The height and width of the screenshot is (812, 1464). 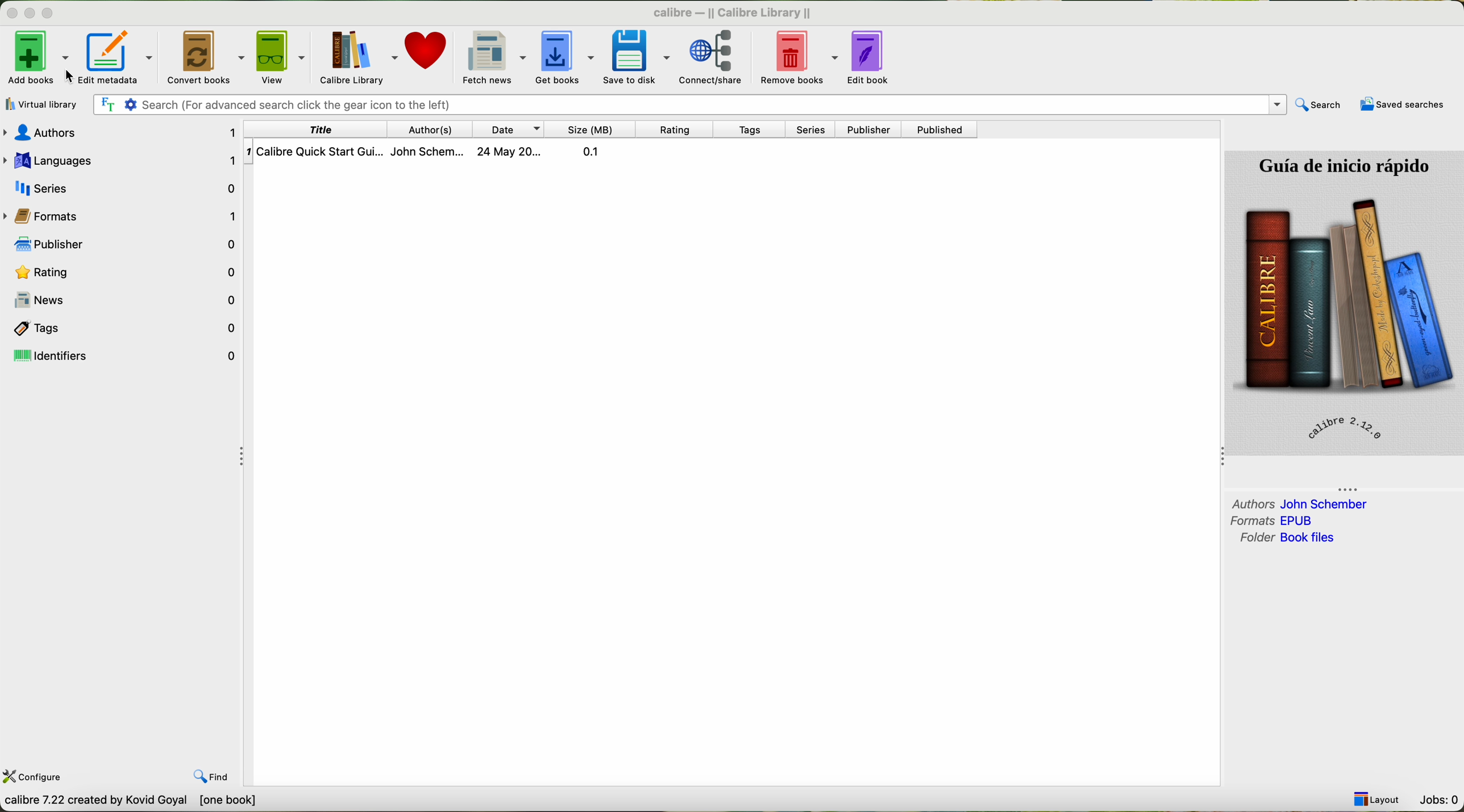 What do you see at coordinates (1319, 105) in the screenshot?
I see `search` at bounding box center [1319, 105].